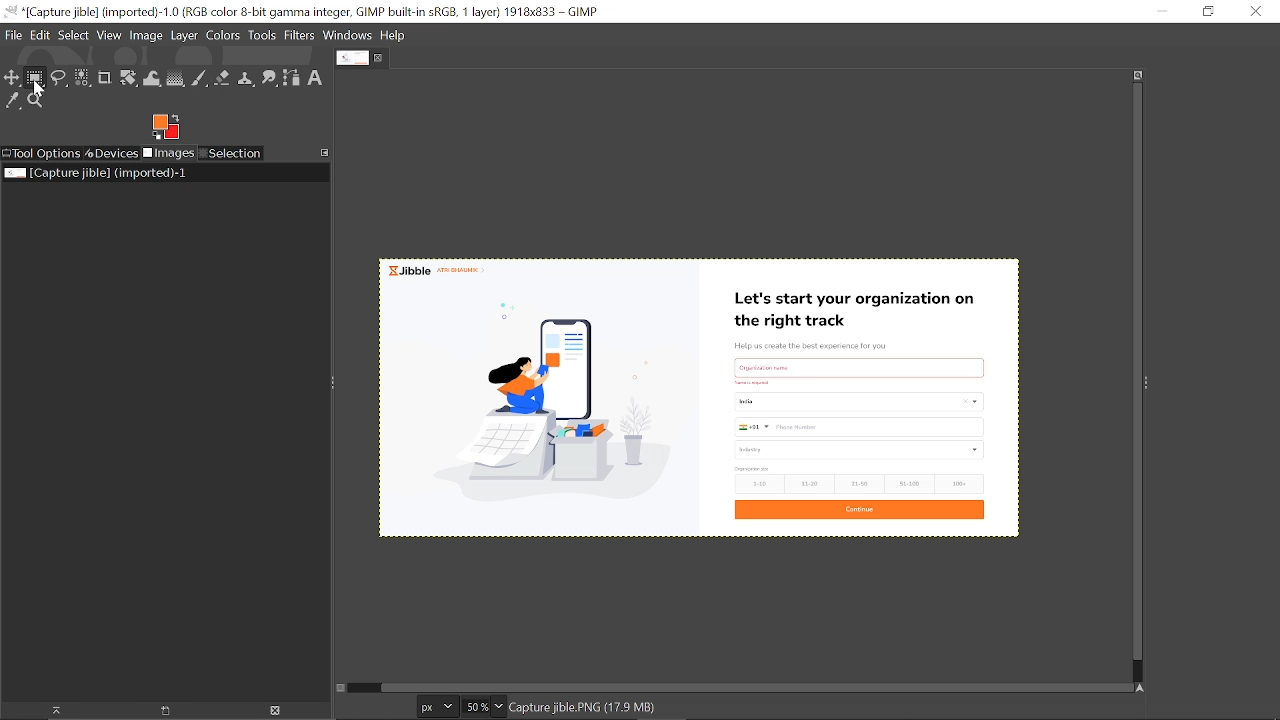  What do you see at coordinates (825, 344) in the screenshot?
I see `Help us create the best experience for you` at bounding box center [825, 344].